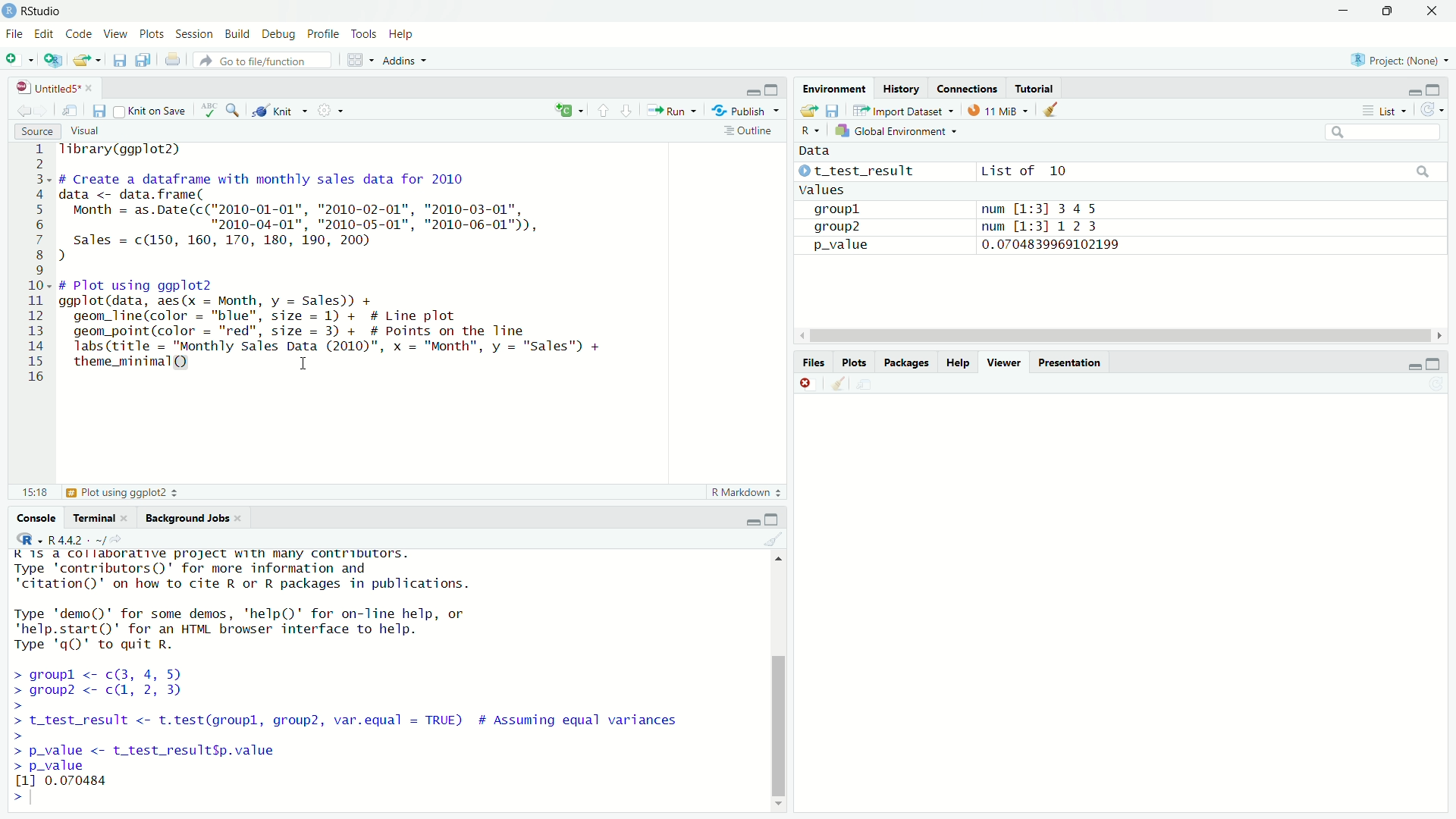 The width and height of the screenshot is (1456, 819). I want to click on scroll bar, so click(1119, 336).